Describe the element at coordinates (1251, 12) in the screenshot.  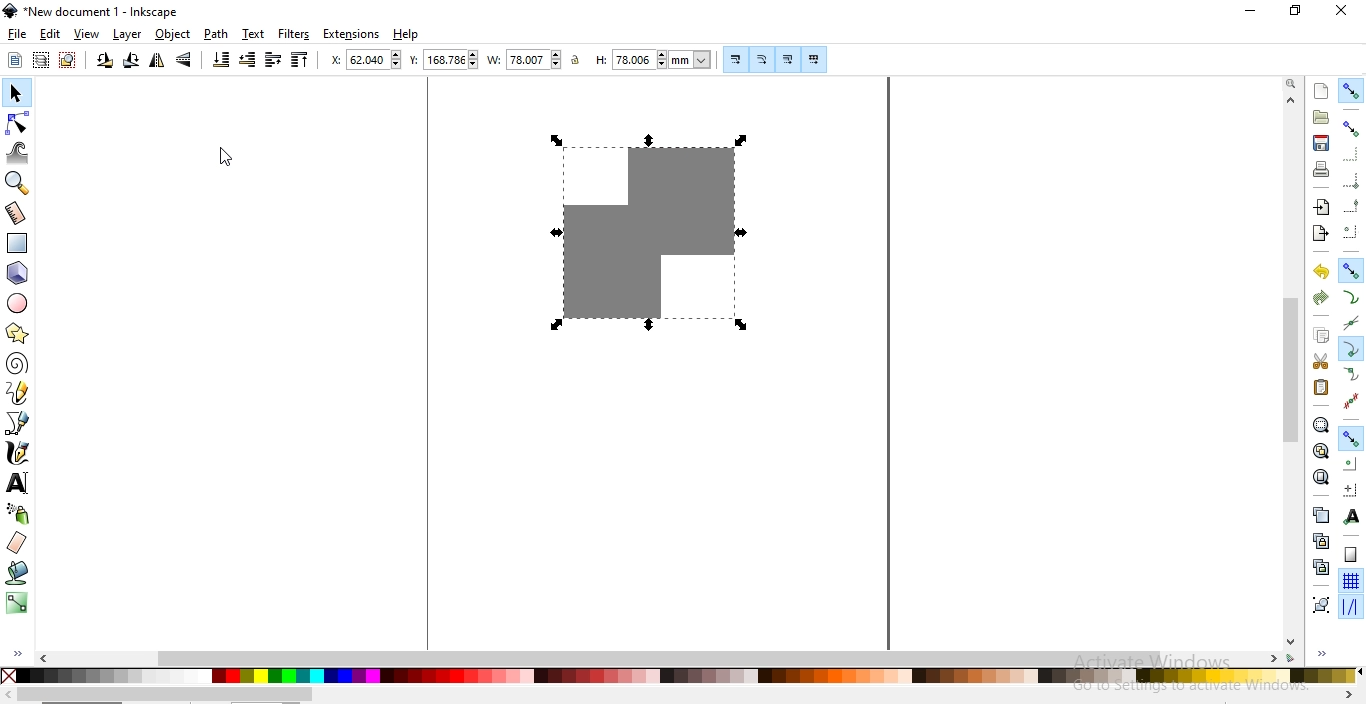
I see `minimize` at that location.